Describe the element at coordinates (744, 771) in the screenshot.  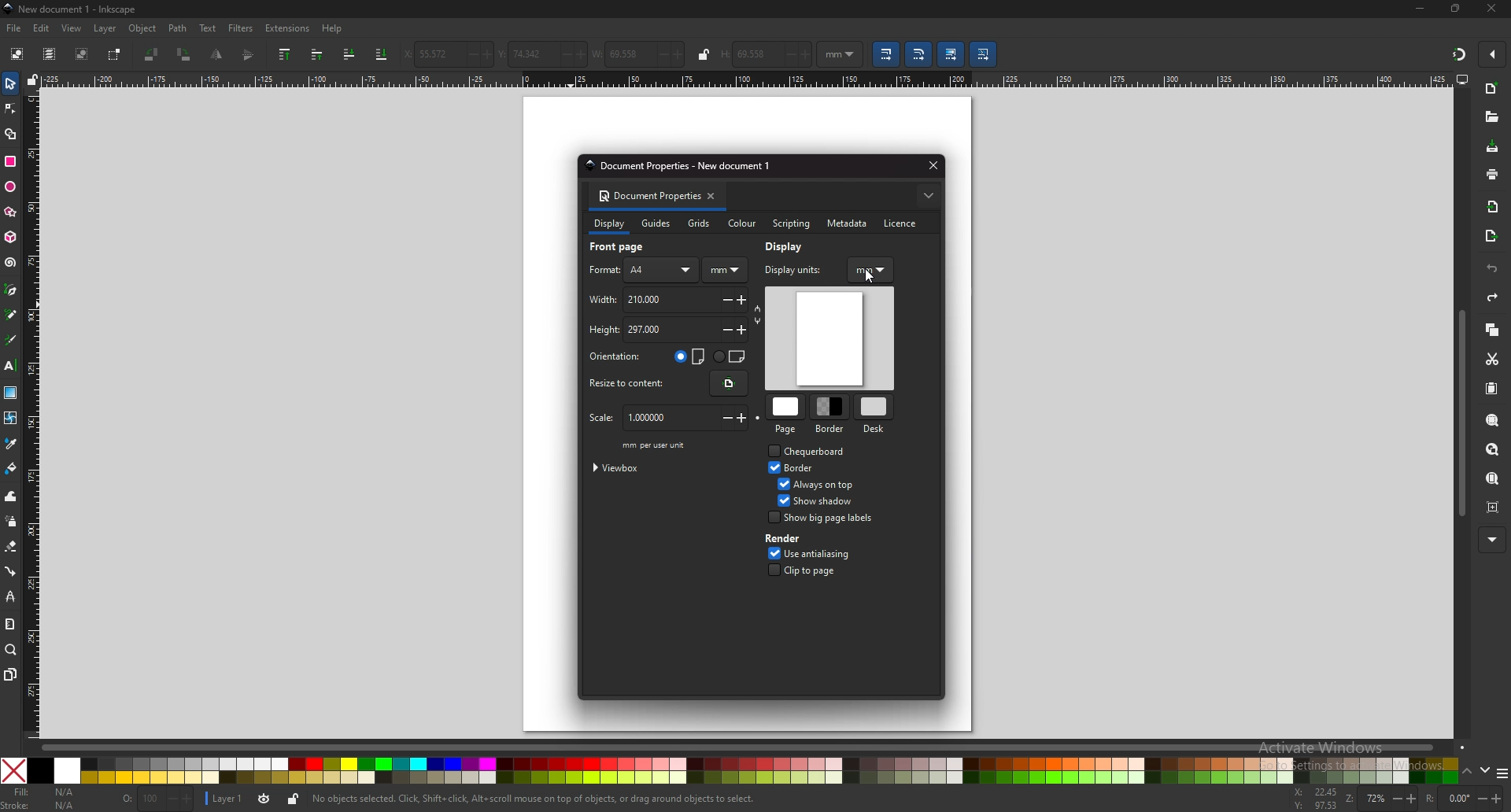
I see `colors` at that location.